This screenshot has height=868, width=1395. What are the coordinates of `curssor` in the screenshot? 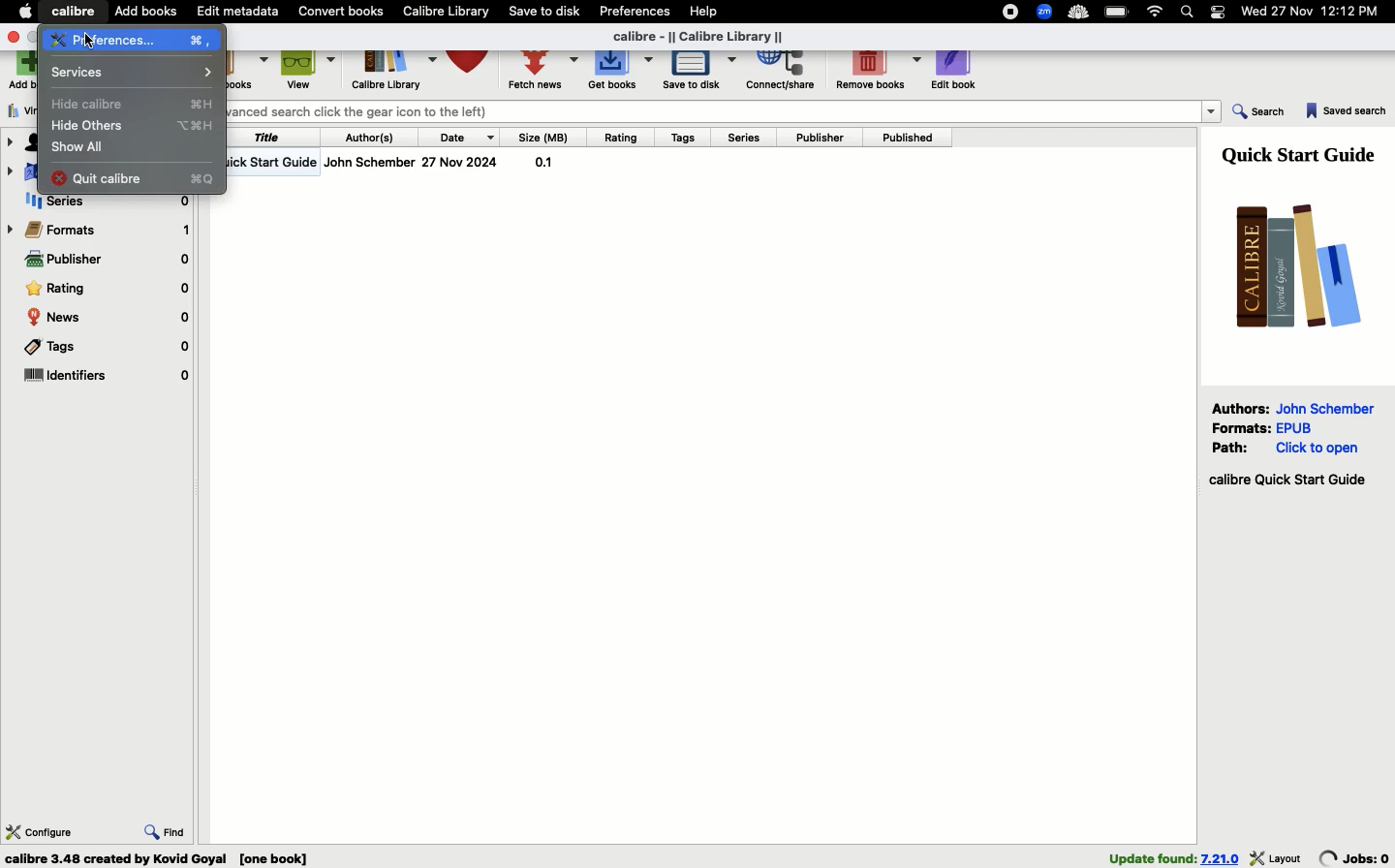 It's located at (94, 41).